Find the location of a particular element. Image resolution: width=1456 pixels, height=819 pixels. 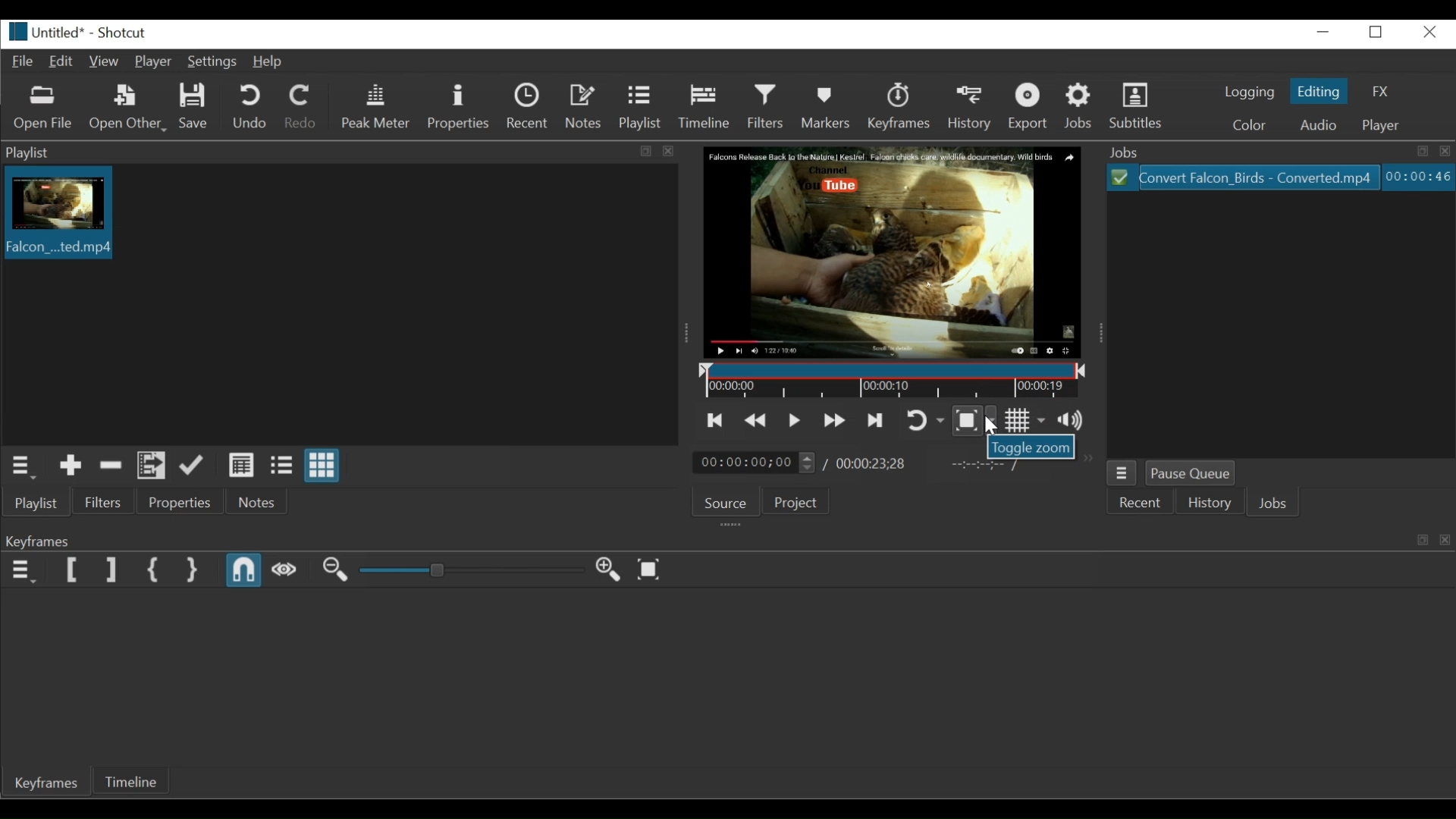

Play quickly backward is located at coordinates (757, 421).